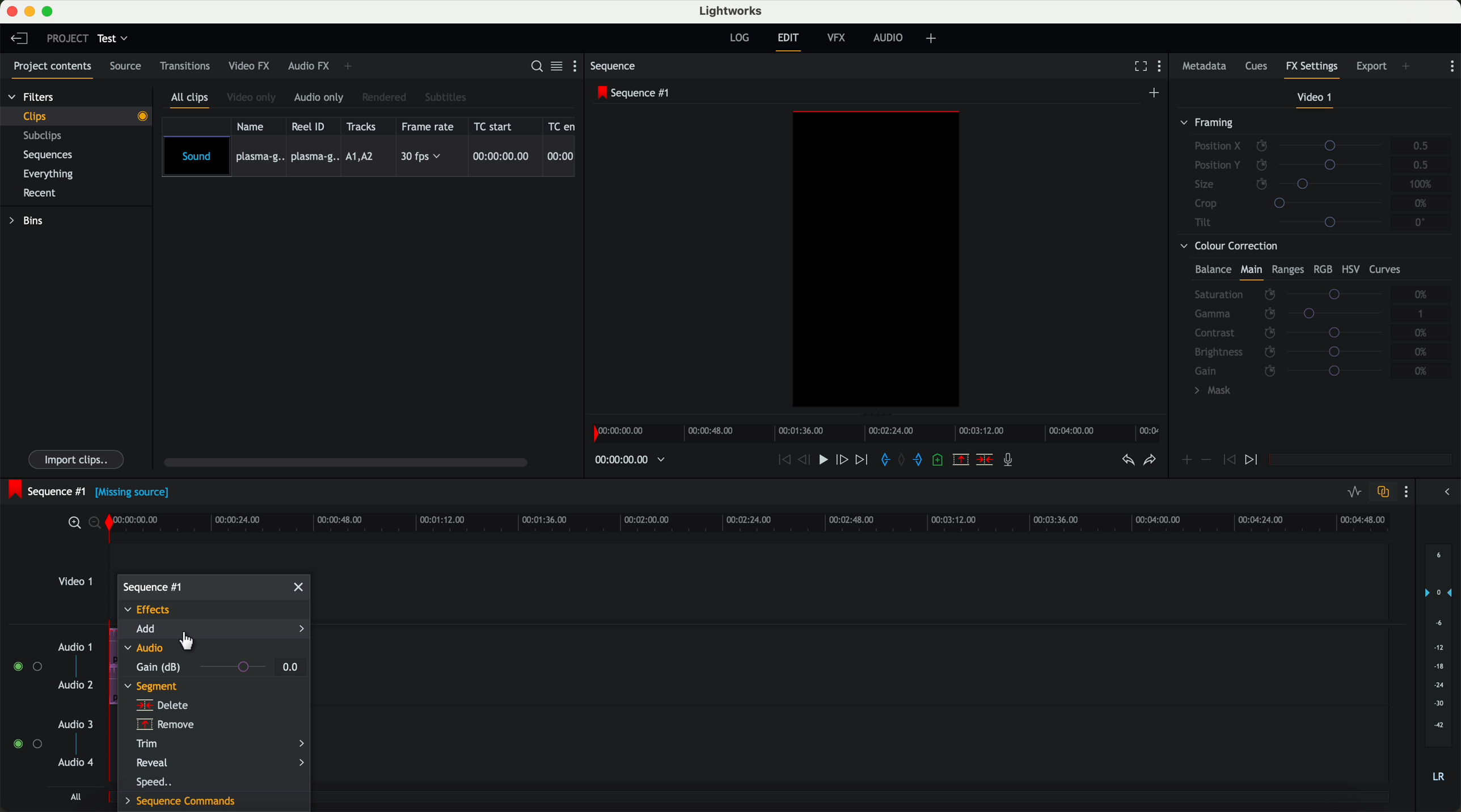  I want to click on log, so click(738, 38).